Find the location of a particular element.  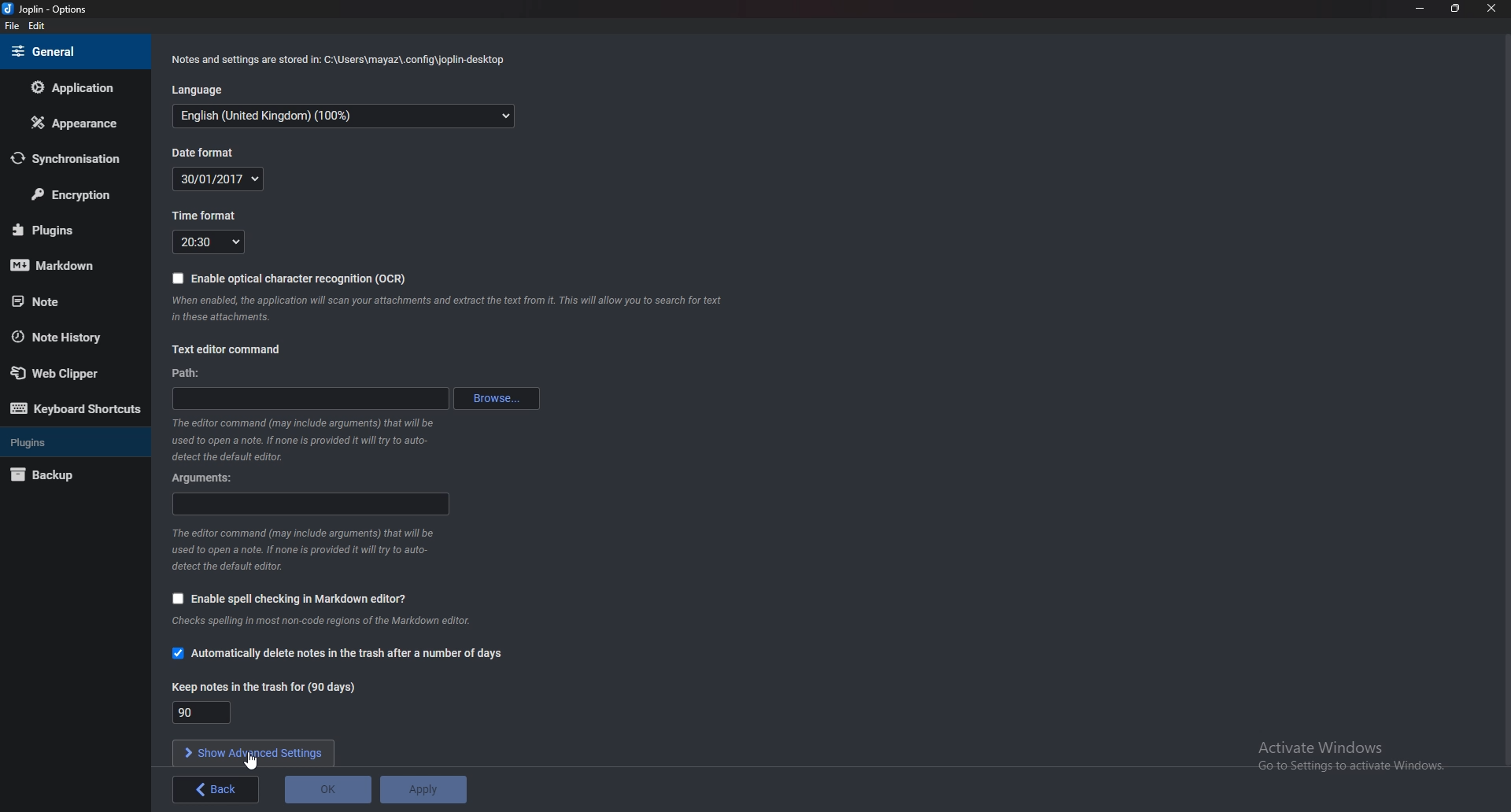

Encryption is located at coordinates (72, 196).